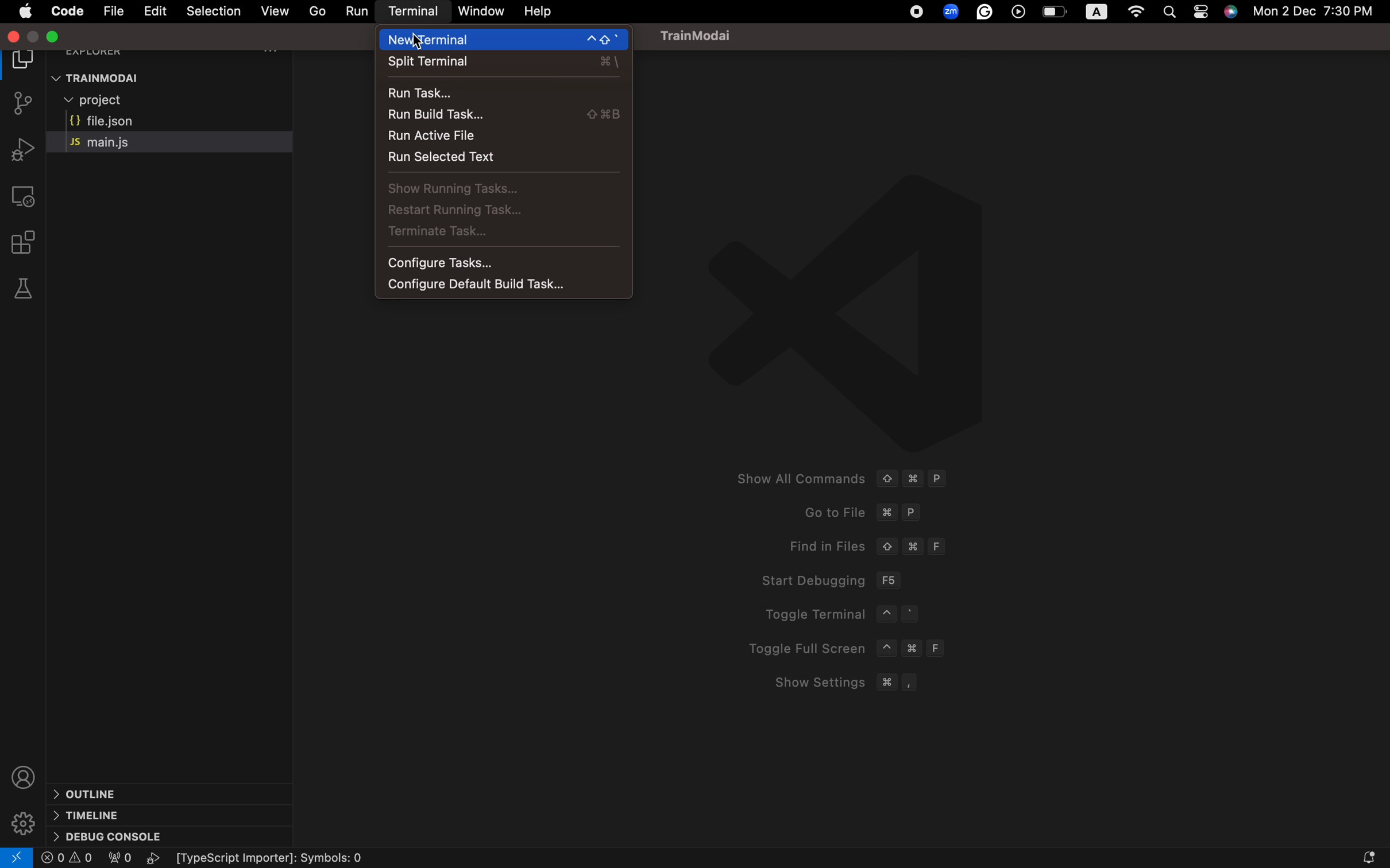 This screenshot has height=868, width=1390. I want to click on projects, so click(129, 102).